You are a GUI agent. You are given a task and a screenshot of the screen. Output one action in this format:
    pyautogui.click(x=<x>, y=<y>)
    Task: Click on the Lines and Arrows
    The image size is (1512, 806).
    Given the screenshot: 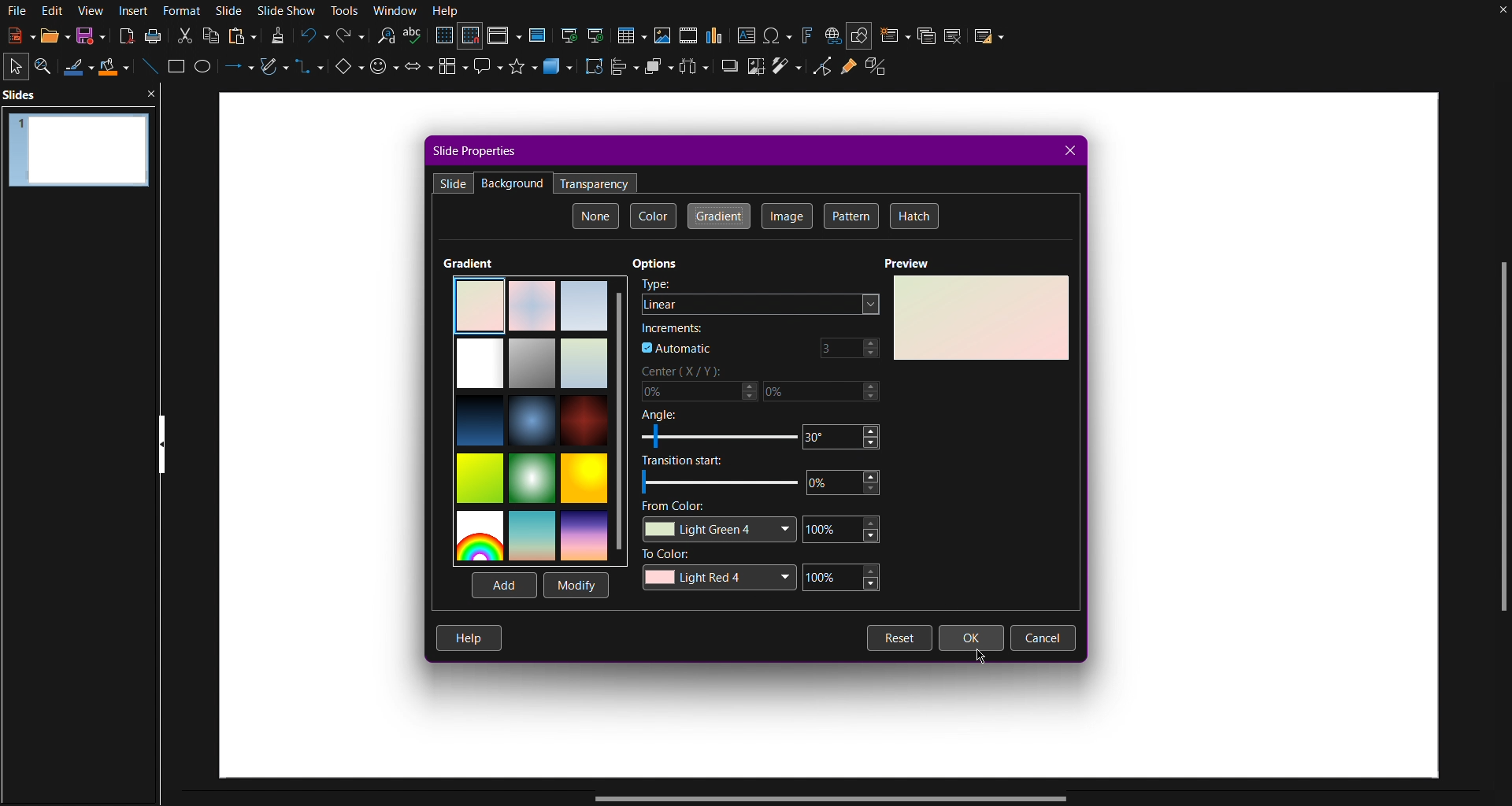 What is the action you would take?
    pyautogui.click(x=235, y=70)
    